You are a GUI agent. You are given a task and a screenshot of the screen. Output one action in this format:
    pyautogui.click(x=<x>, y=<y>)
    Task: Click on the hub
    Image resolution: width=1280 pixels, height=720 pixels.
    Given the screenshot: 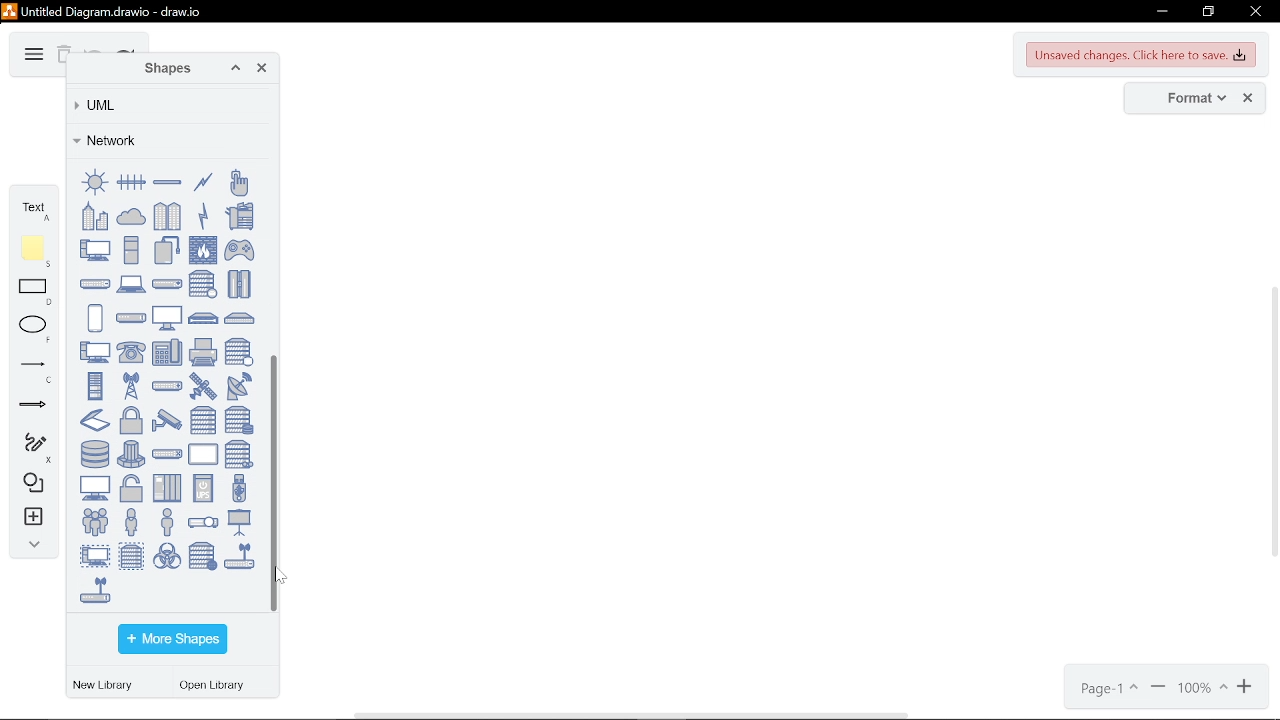 What is the action you would take?
    pyautogui.click(x=95, y=284)
    